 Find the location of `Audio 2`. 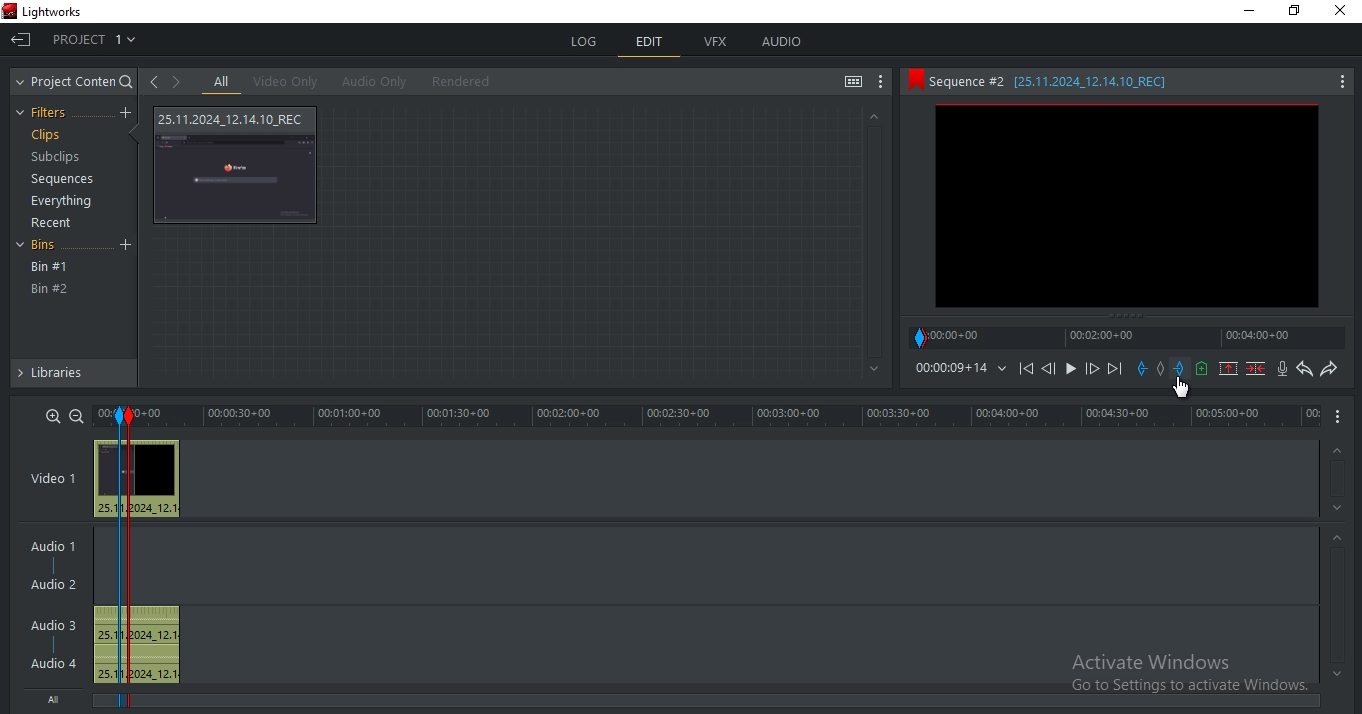

Audio 2 is located at coordinates (61, 585).